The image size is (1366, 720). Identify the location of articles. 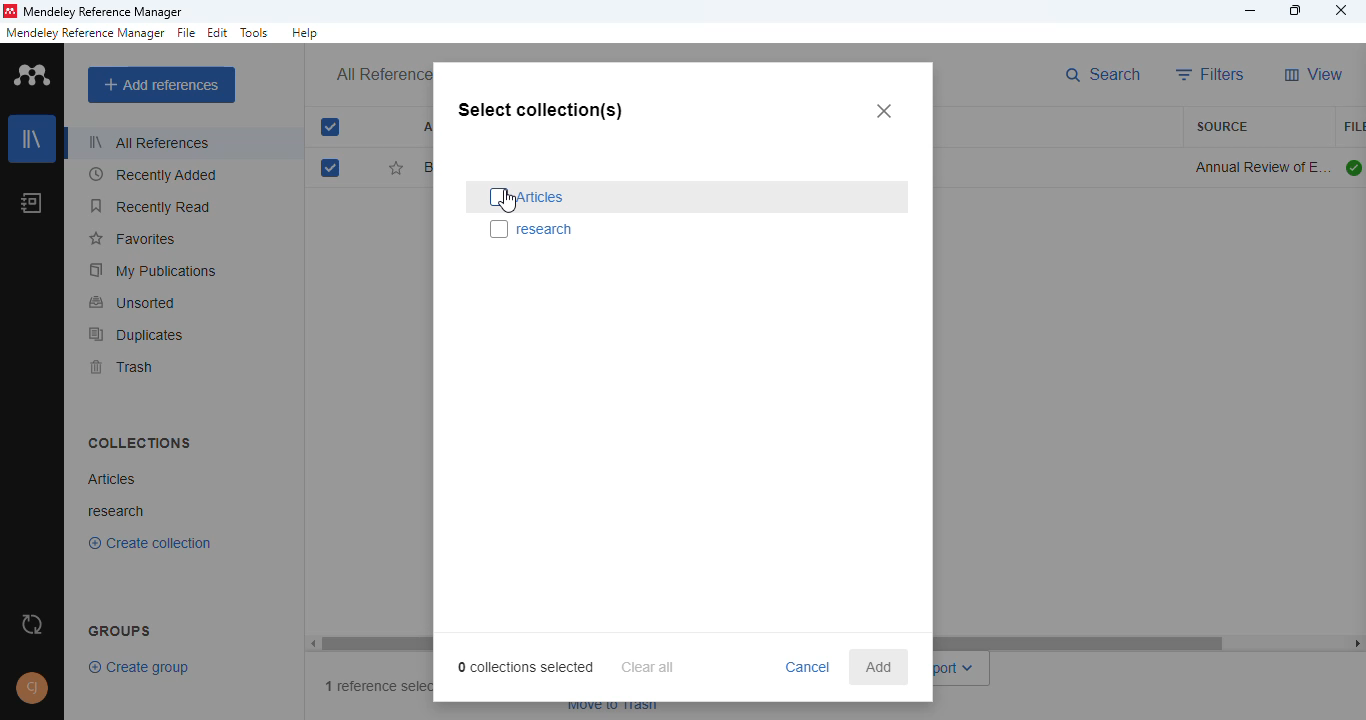
(539, 196).